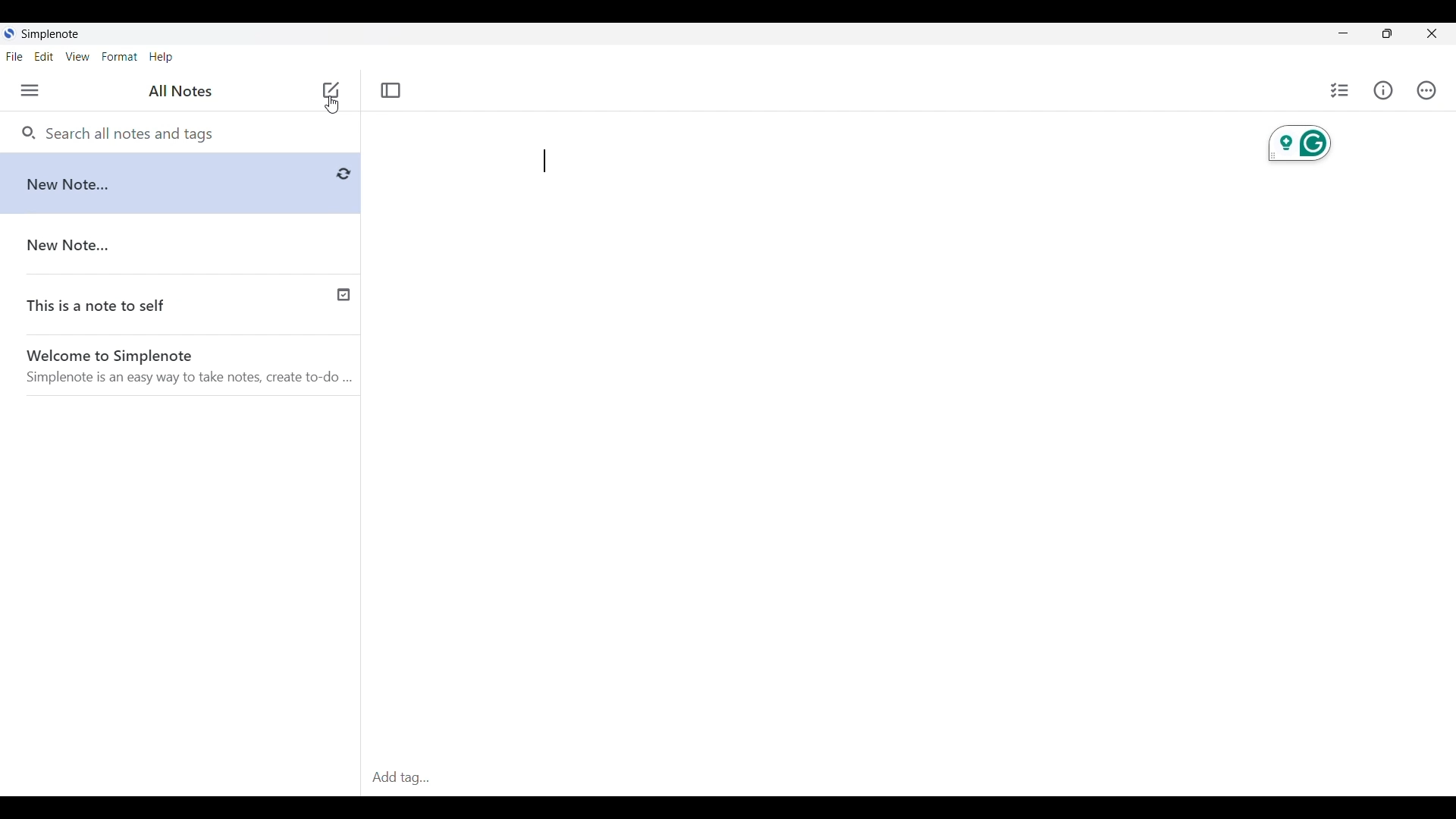 This screenshot has width=1456, height=819. I want to click on Show interface in a smaller tab, so click(1388, 33).